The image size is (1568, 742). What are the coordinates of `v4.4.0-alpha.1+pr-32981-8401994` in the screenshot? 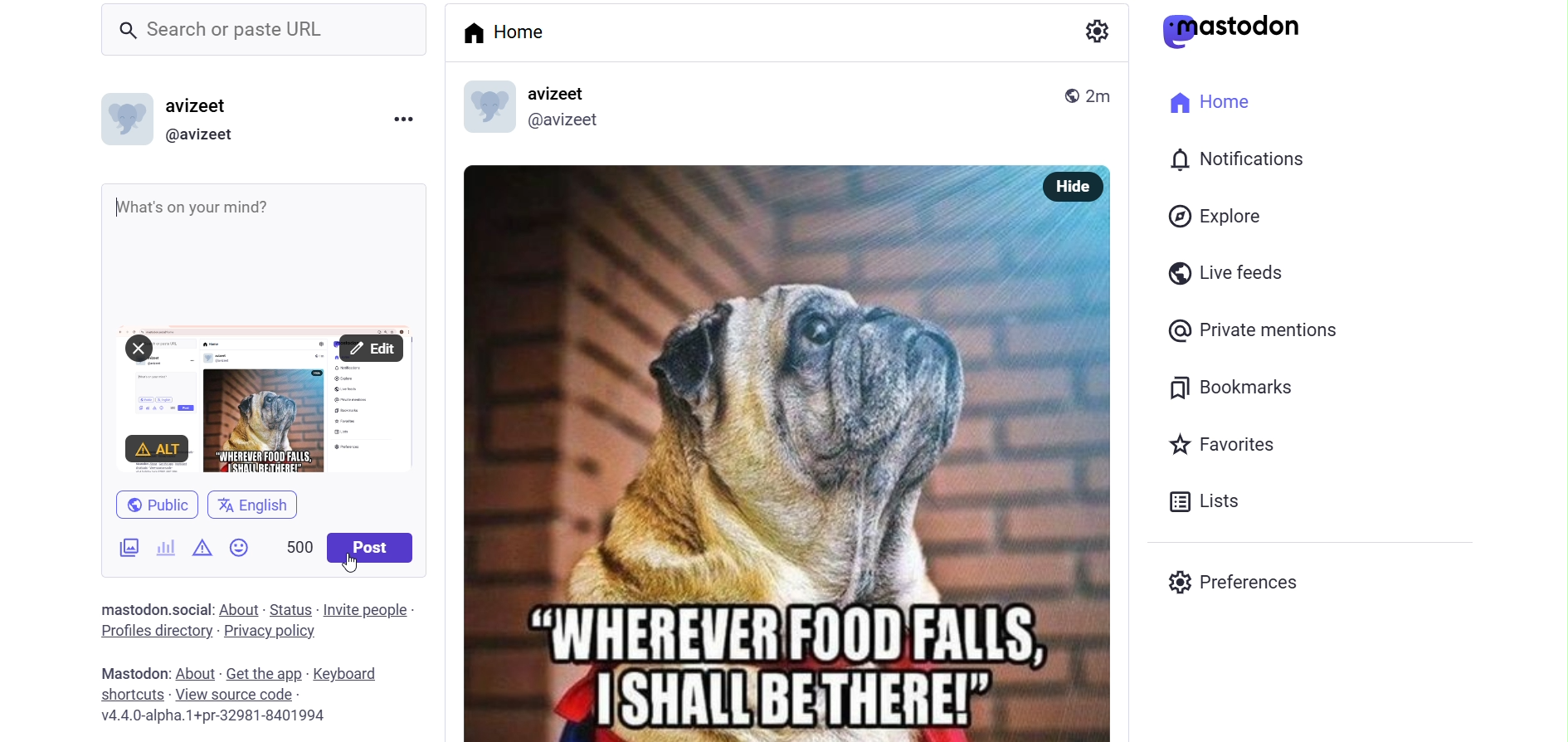 It's located at (244, 715).